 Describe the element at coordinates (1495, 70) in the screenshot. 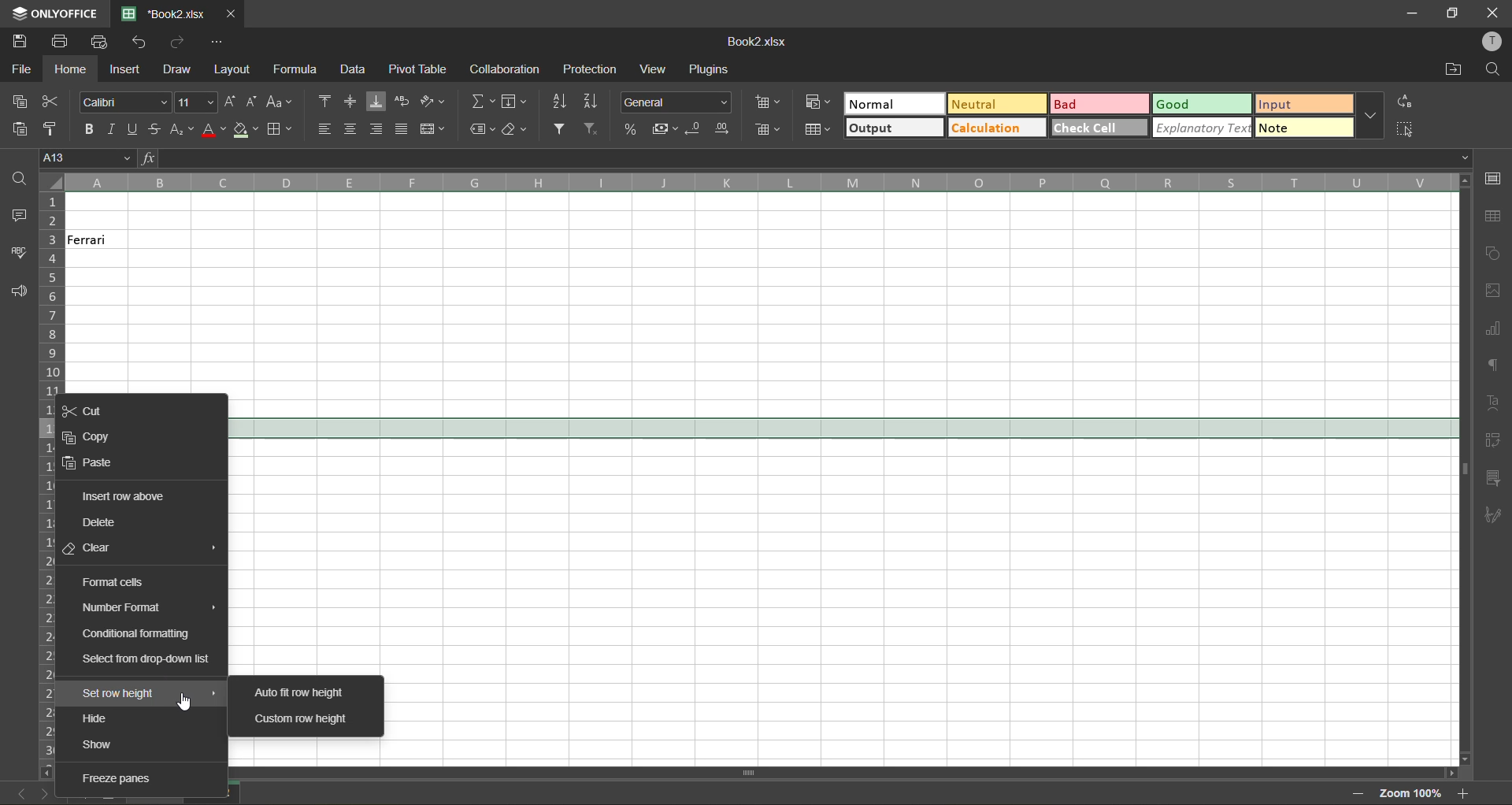

I see `find` at that location.